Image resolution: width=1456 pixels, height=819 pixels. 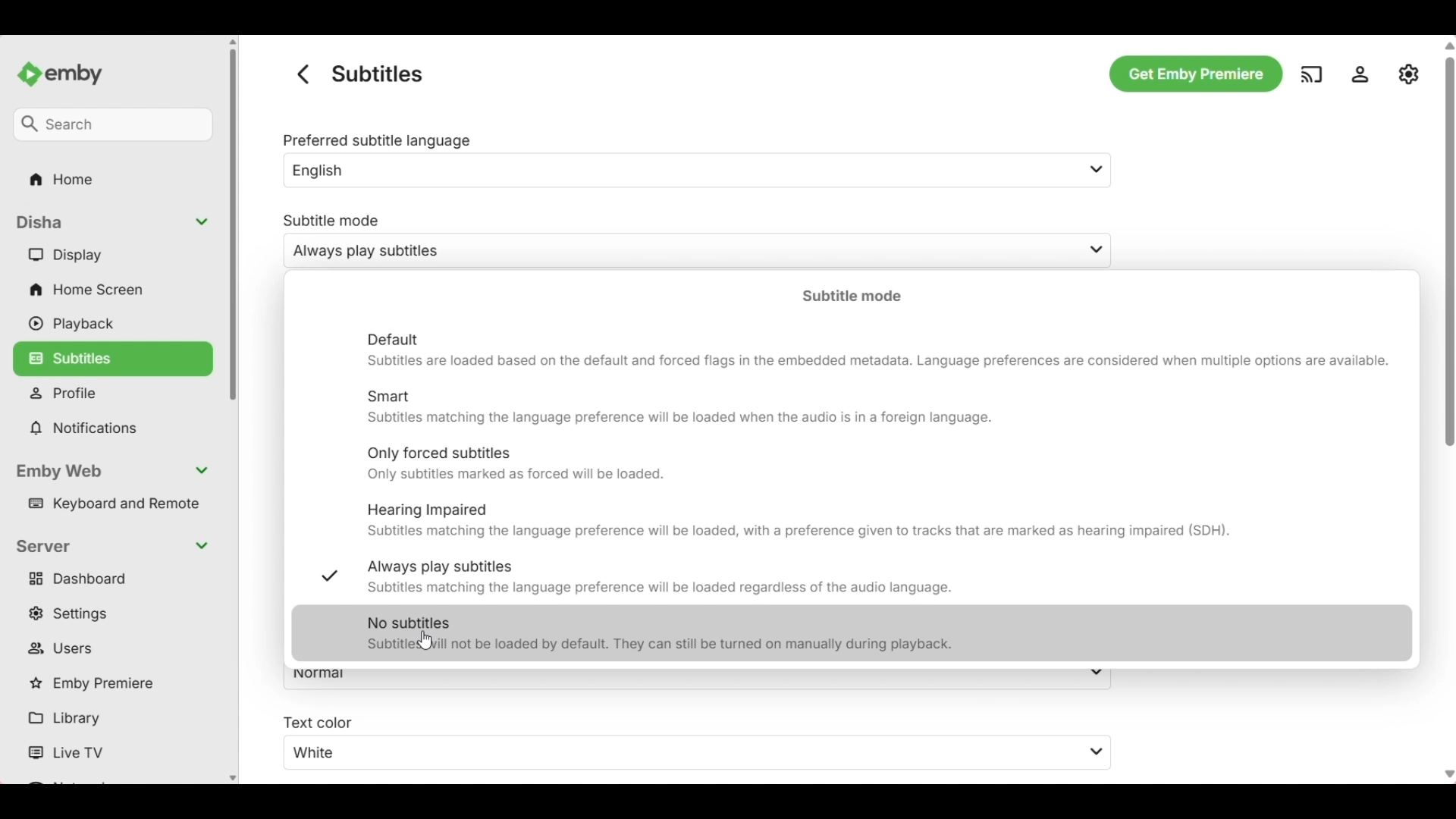 I want to click on Vertical slide bar for left panel, so click(x=233, y=224).